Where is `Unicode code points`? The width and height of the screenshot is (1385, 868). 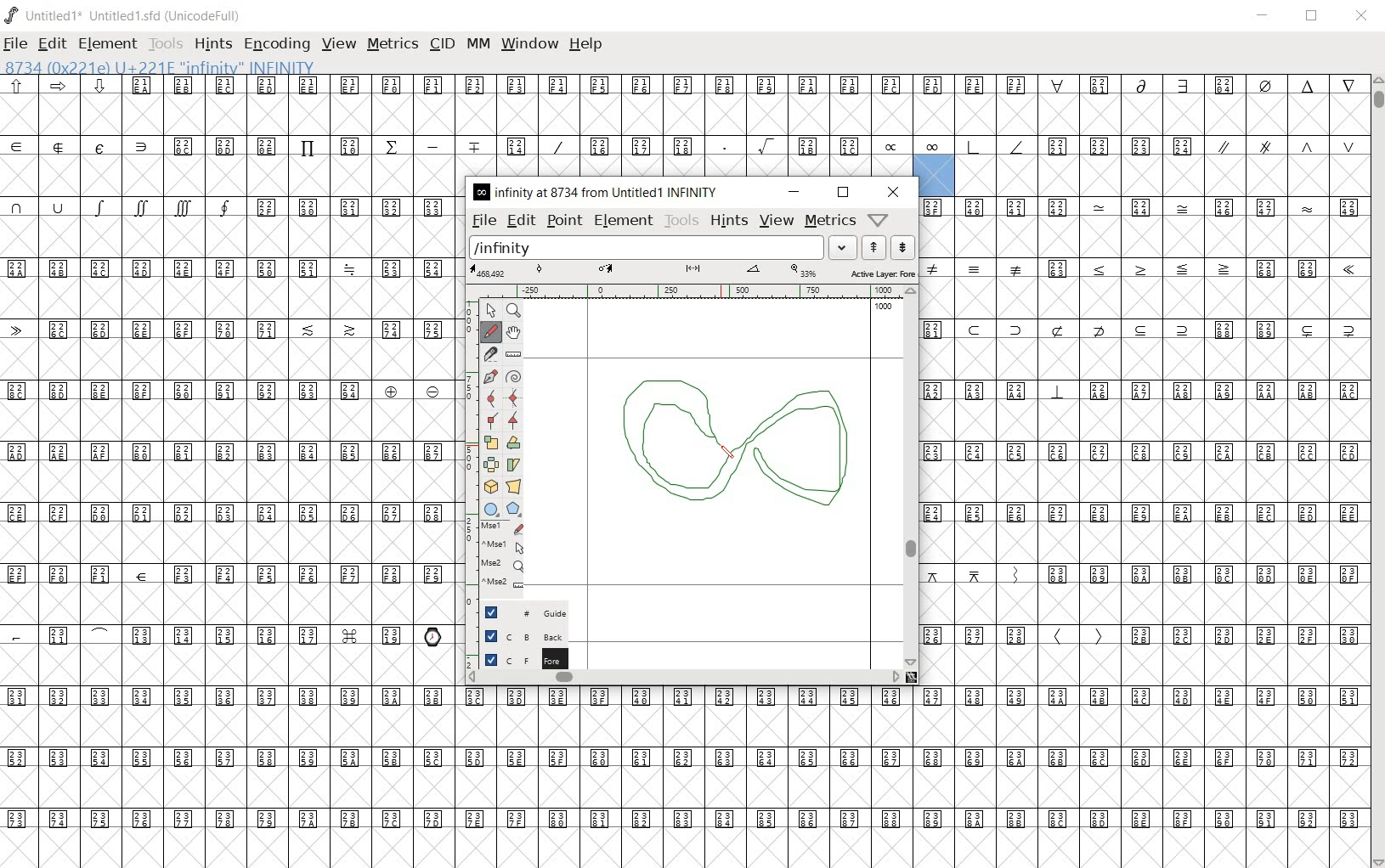 Unicode code points is located at coordinates (688, 816).